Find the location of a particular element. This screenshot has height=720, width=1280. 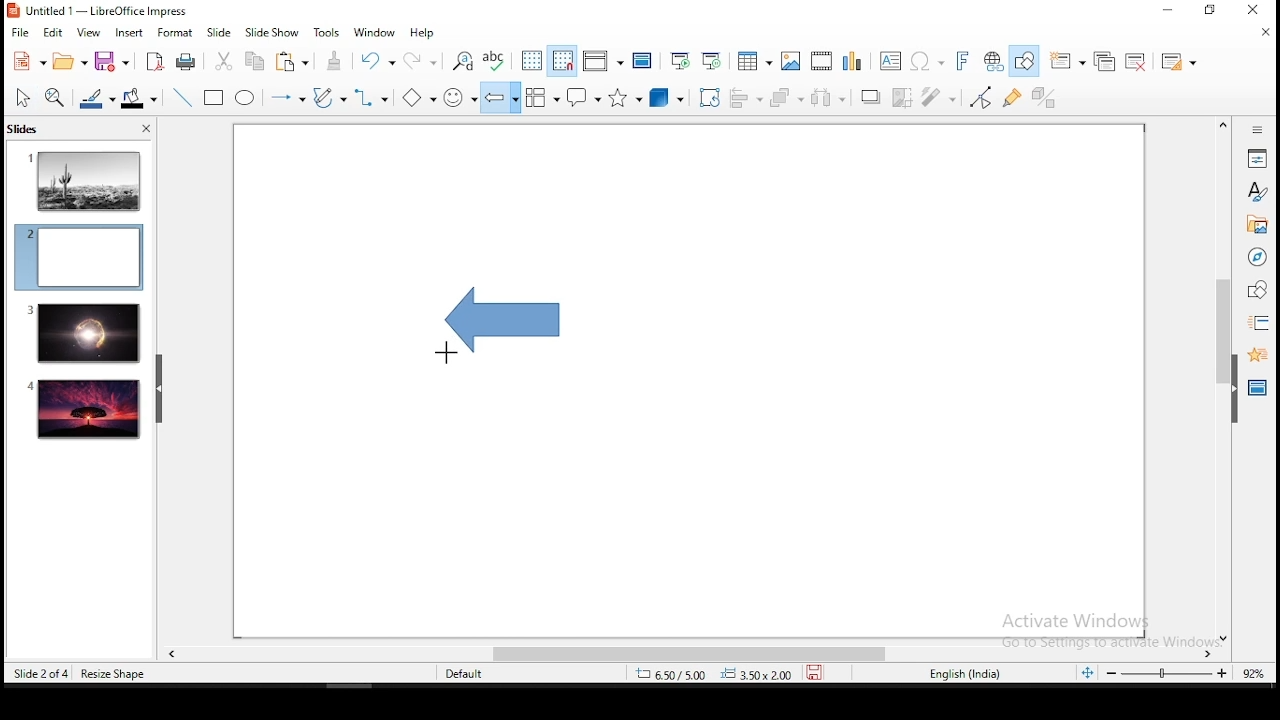

filter is located at coordinates (935, 97).